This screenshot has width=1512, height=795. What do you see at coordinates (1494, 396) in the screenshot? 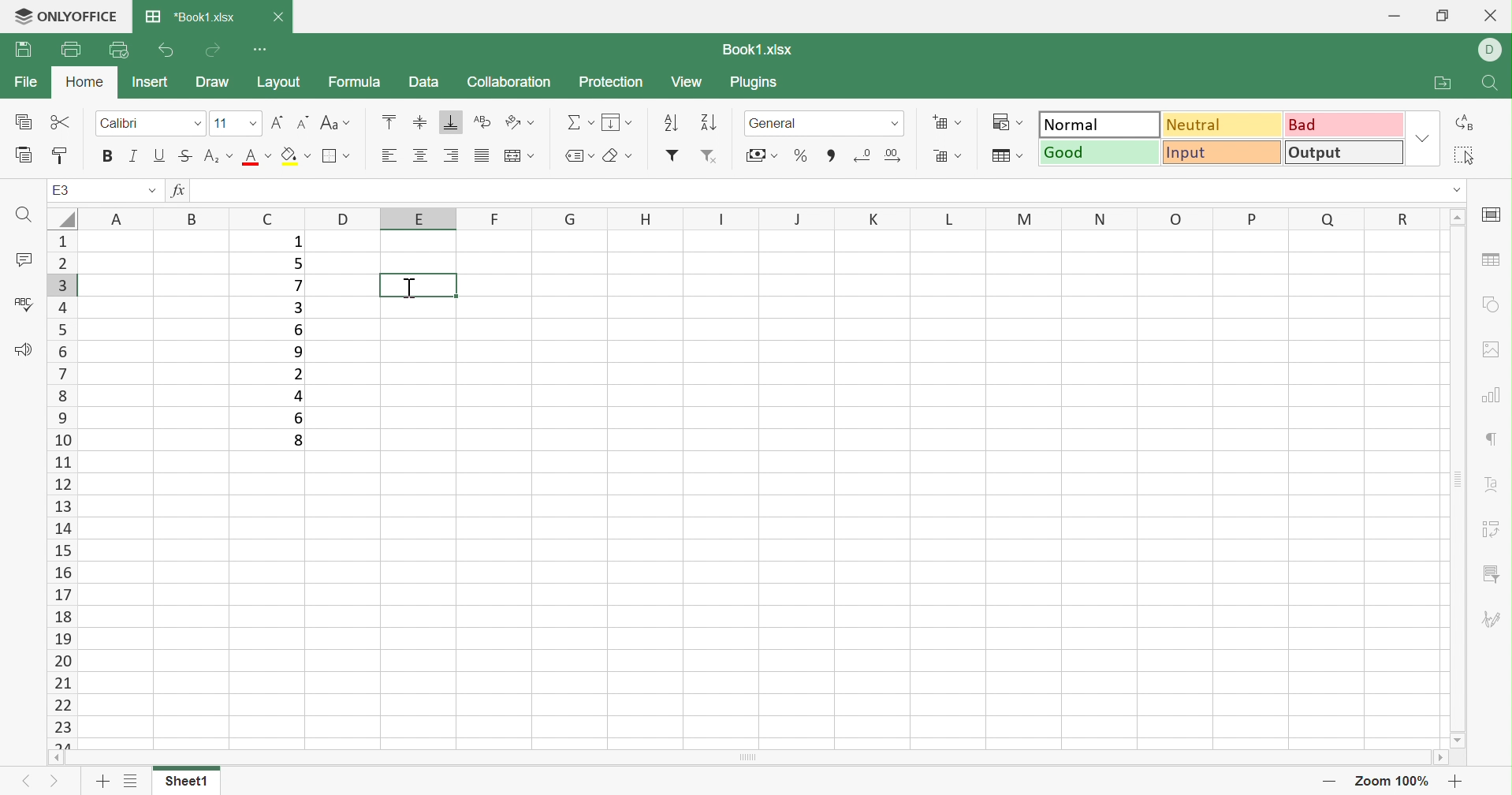
I see `chart settings` at bounding box center [1494, 396].